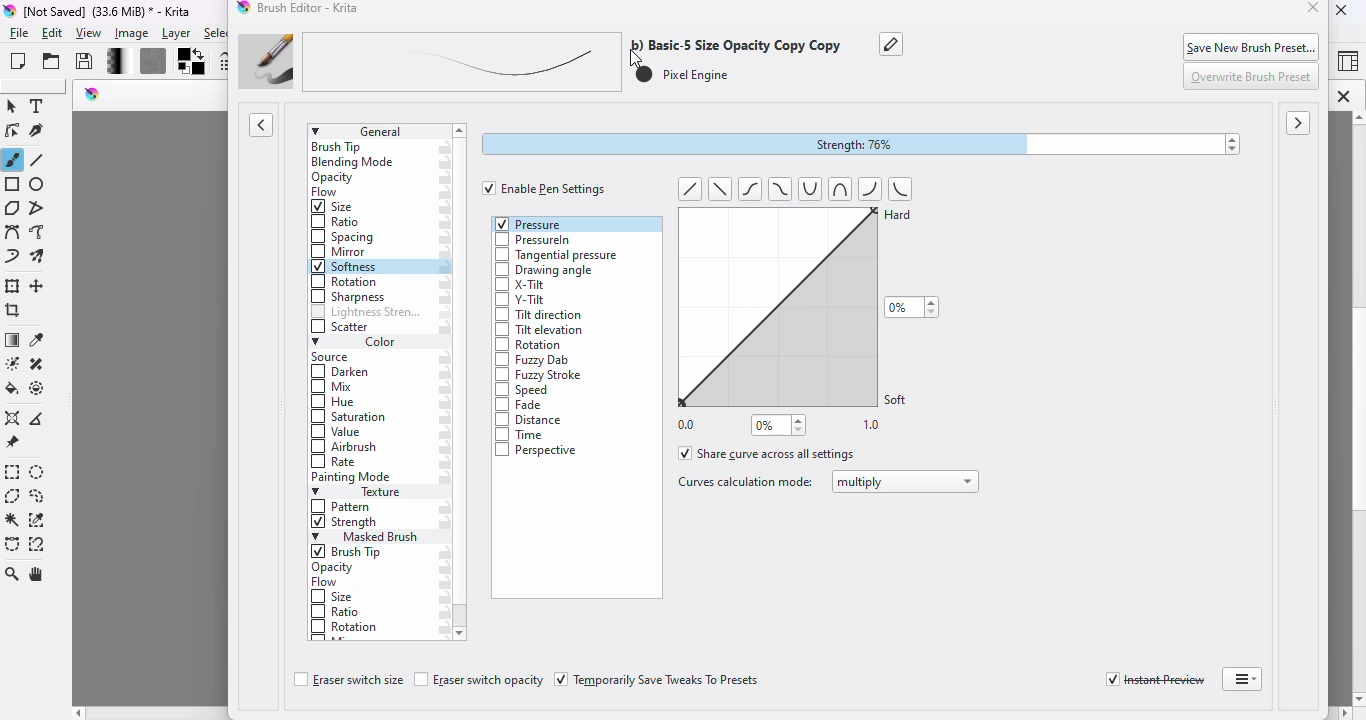  I want to click on reference images tool, so click(12, 443).